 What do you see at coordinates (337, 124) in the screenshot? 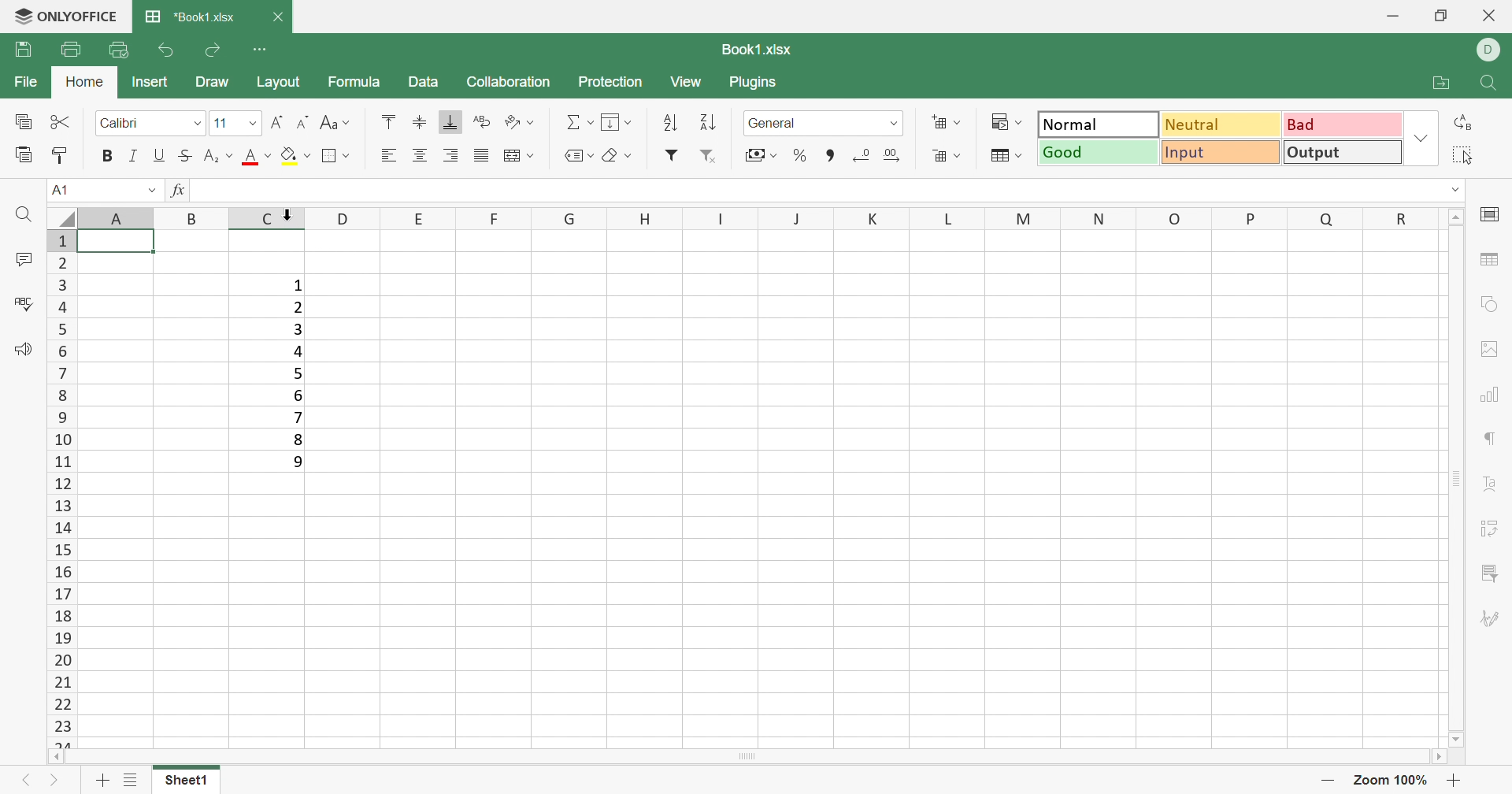
I see `Change case` at bounding box center [337, 124].